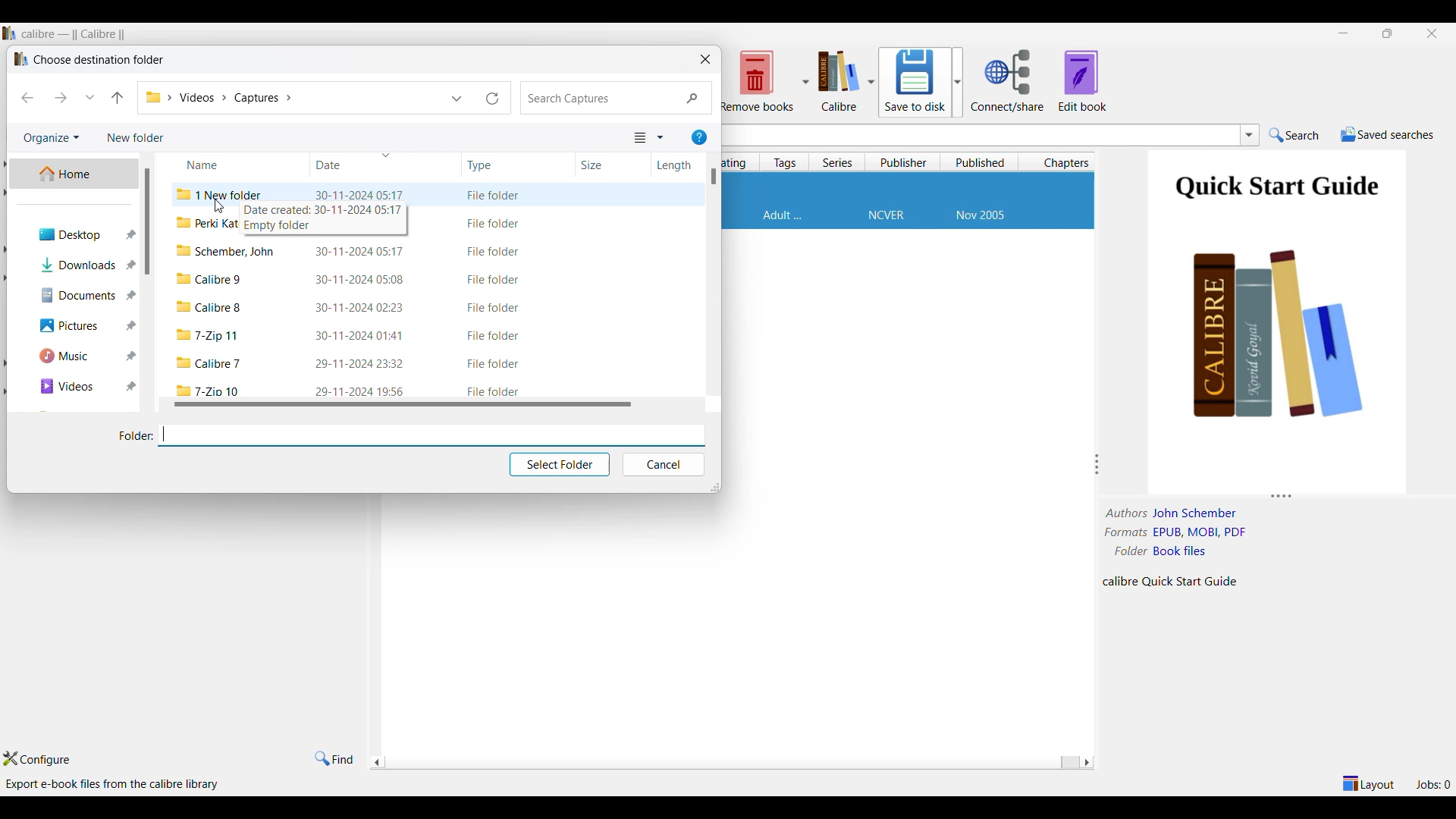 The height and width of the screenshot is (819, 1456). I want to click on date, so click(362, 390).